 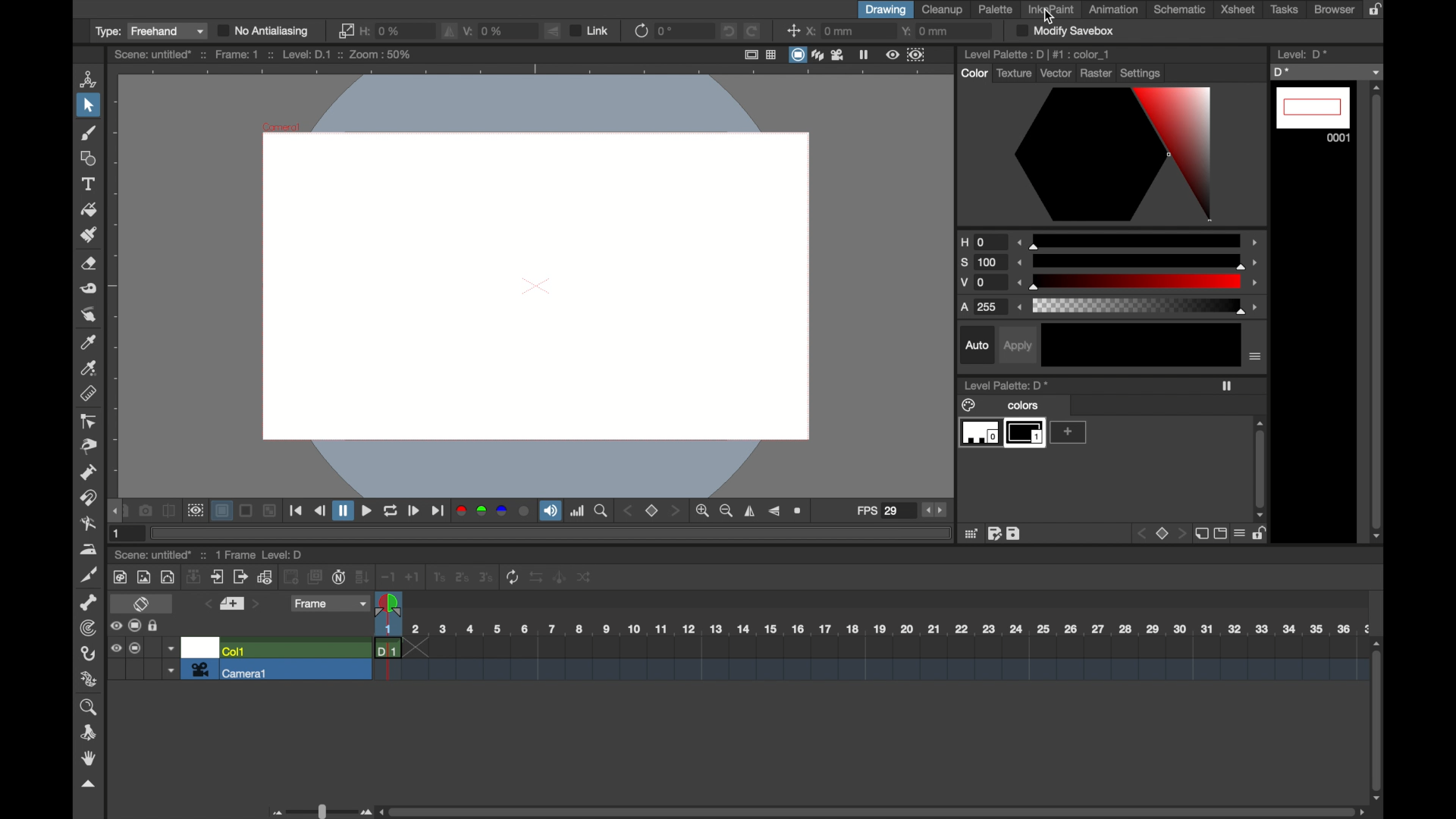 I want to click on back, so click(x=626, y=511).